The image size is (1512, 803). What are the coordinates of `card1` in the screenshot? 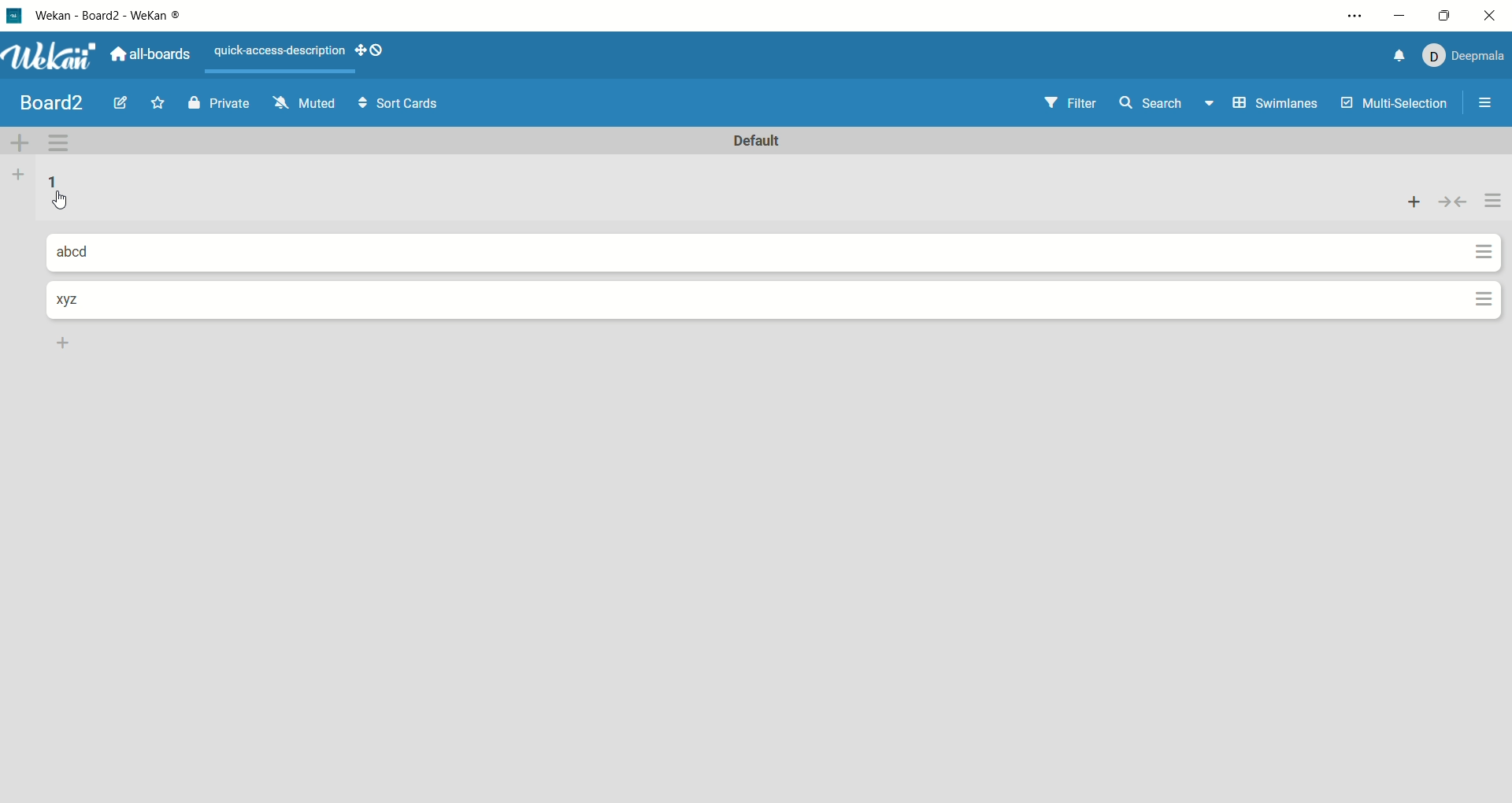 It's located at (83, 253).